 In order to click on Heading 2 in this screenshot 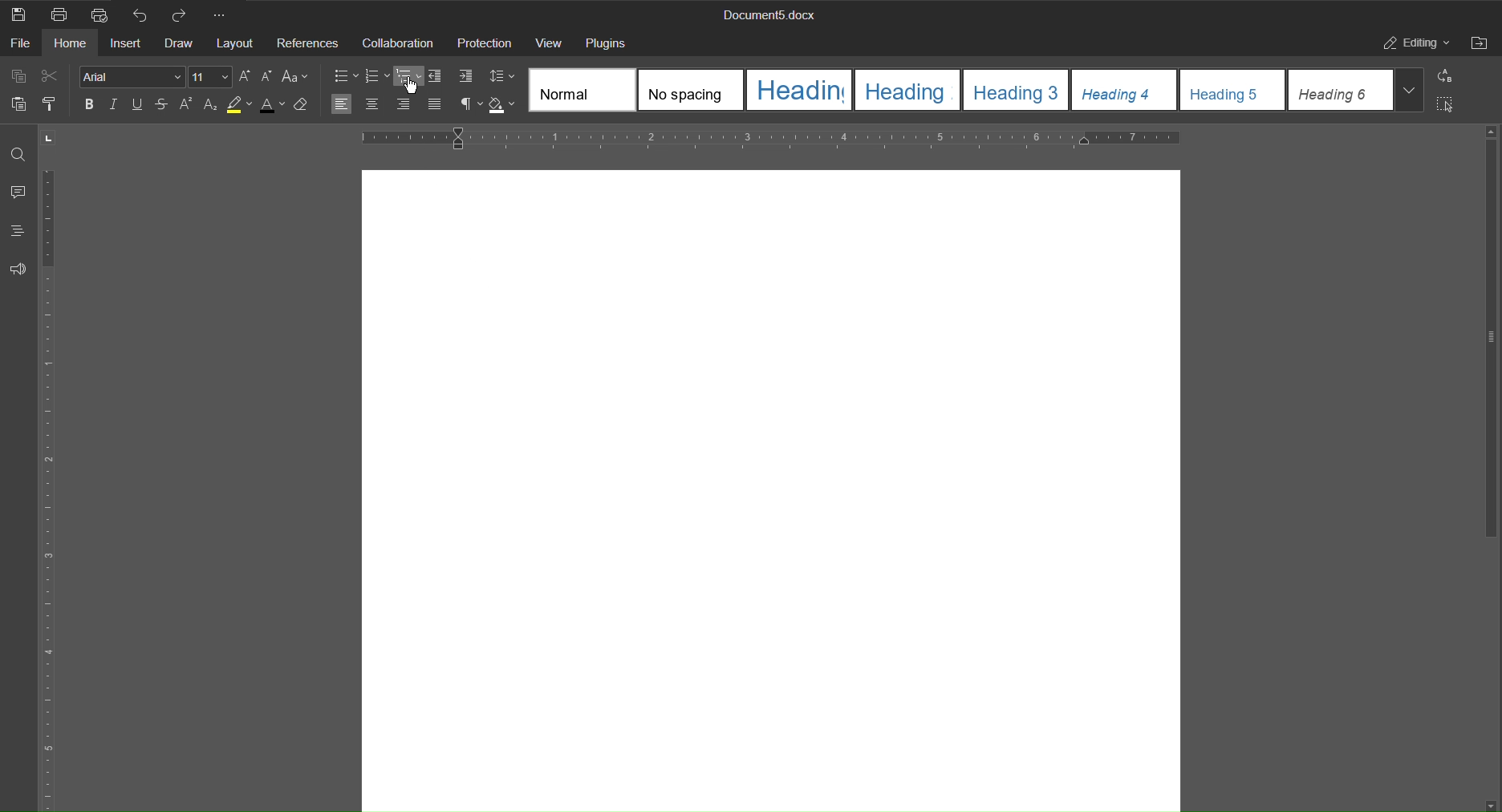, I will do `click(910, 91)`.